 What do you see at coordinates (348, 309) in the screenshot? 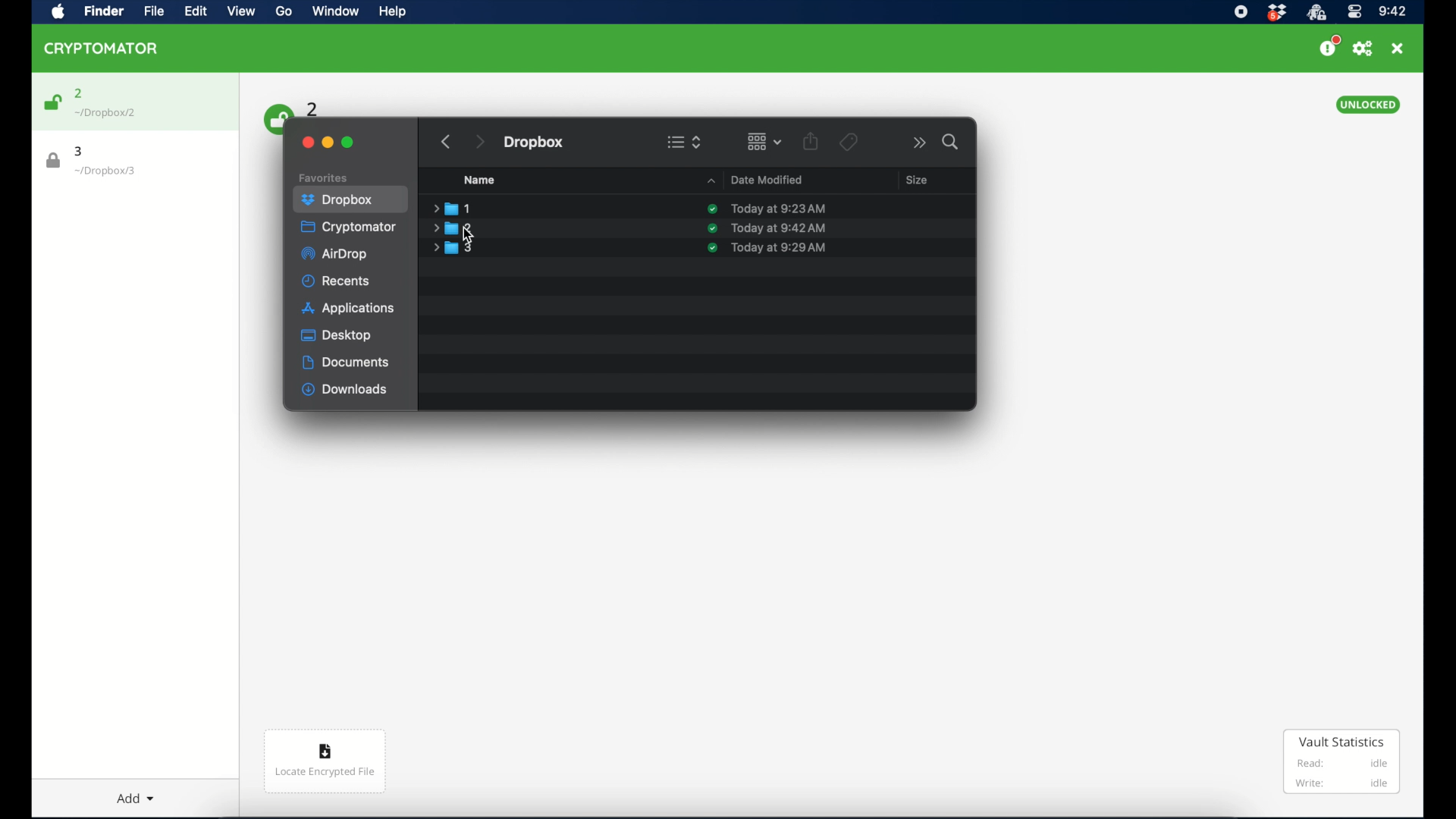
I see `applications` at bounding box center [348, 309].